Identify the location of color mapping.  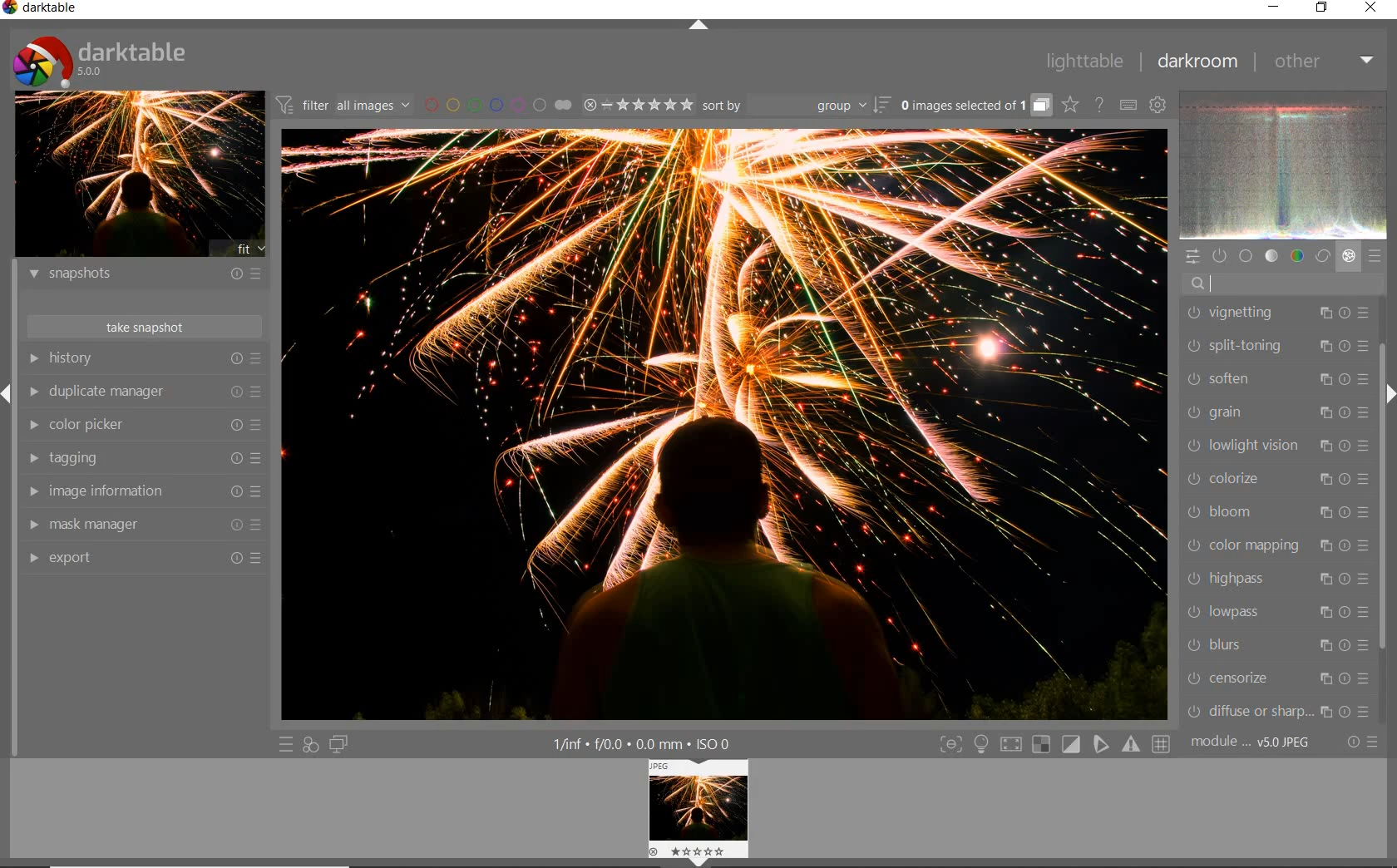
(1276, 546).